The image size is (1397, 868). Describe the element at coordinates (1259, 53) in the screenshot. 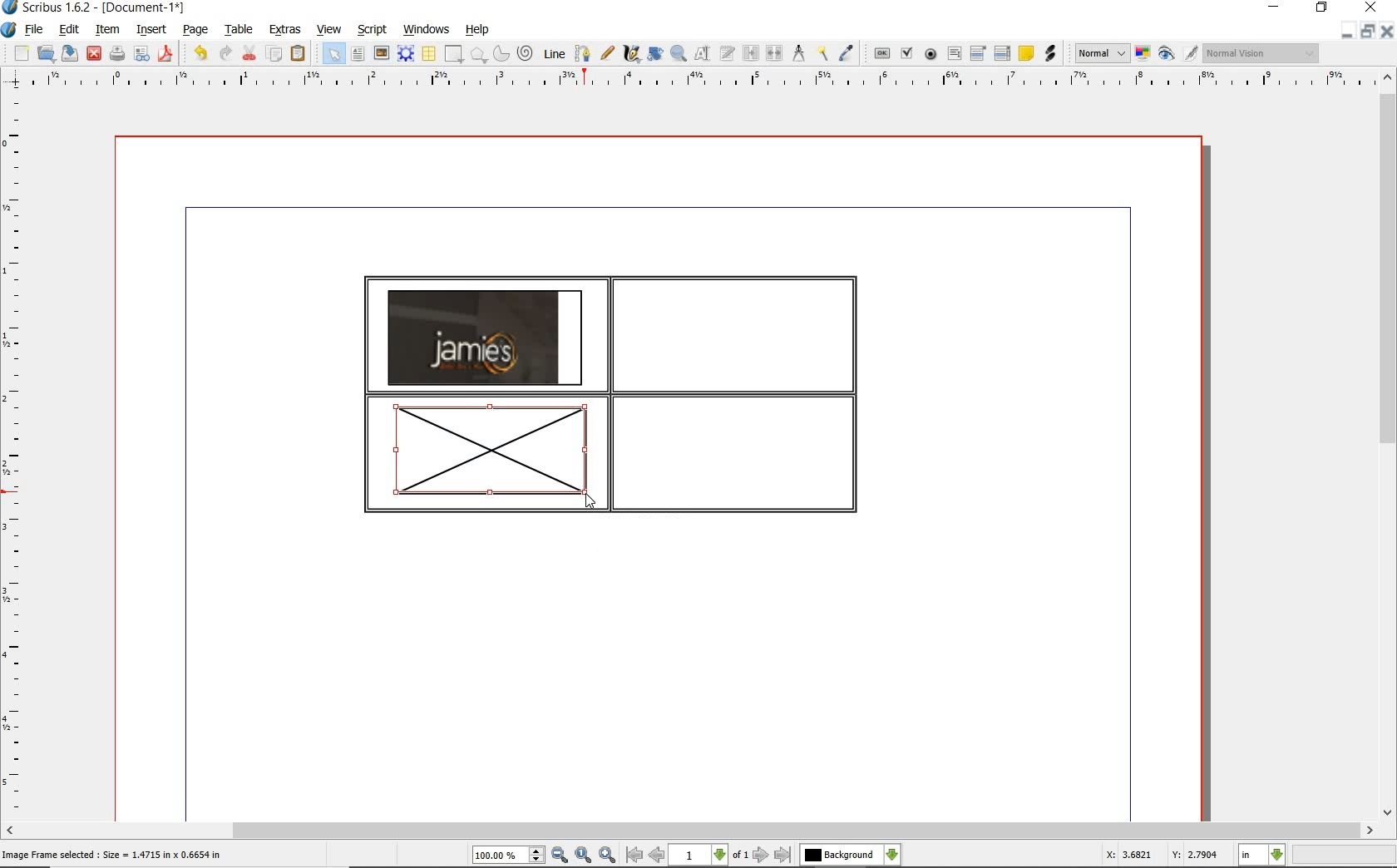

I see `visual appearance of the display` at that location.